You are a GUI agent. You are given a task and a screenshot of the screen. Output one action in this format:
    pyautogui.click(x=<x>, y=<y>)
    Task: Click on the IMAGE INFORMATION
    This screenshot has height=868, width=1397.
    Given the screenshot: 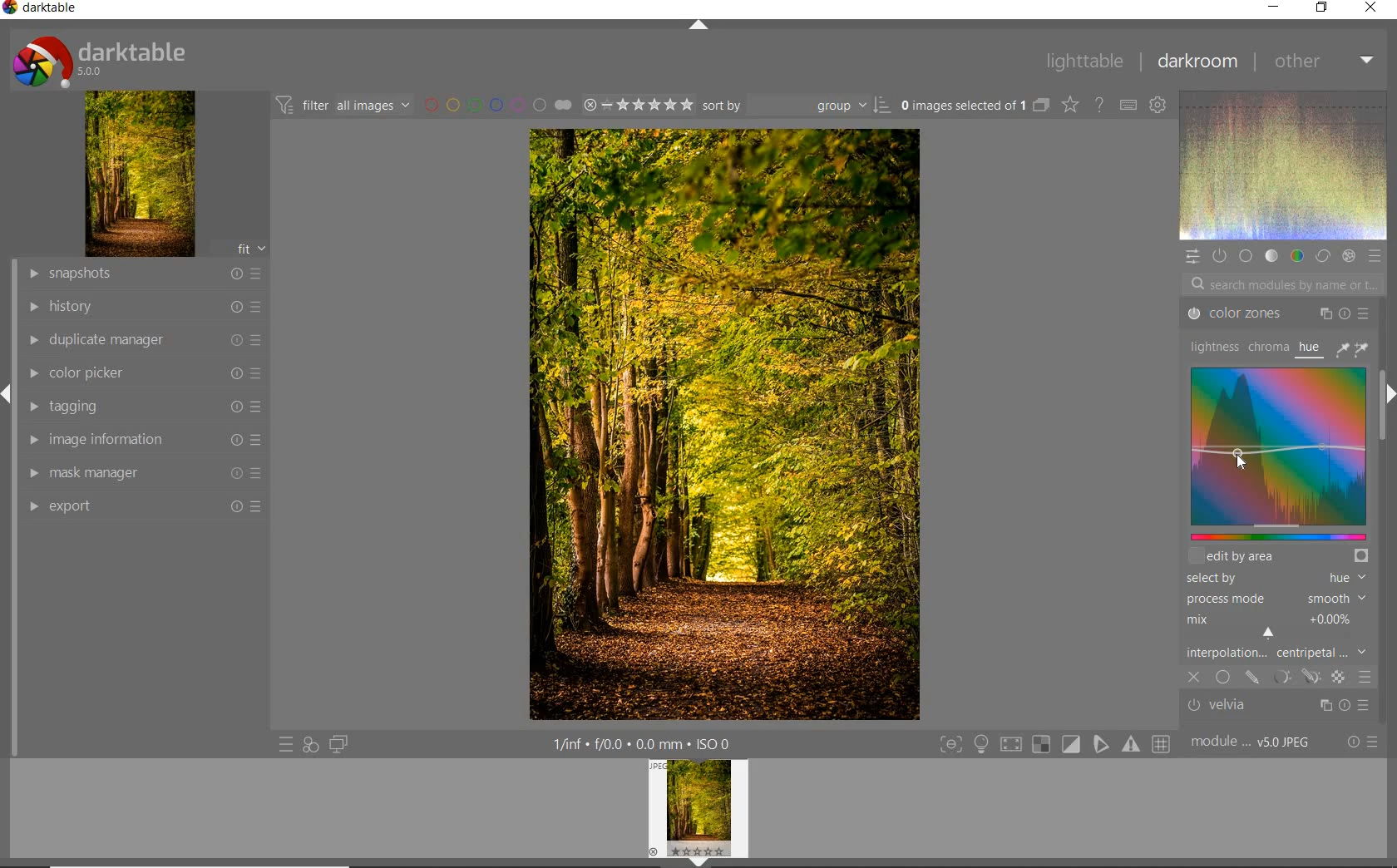 What is the action you would take?
    pyautogui.click(x=146, y=441)
    